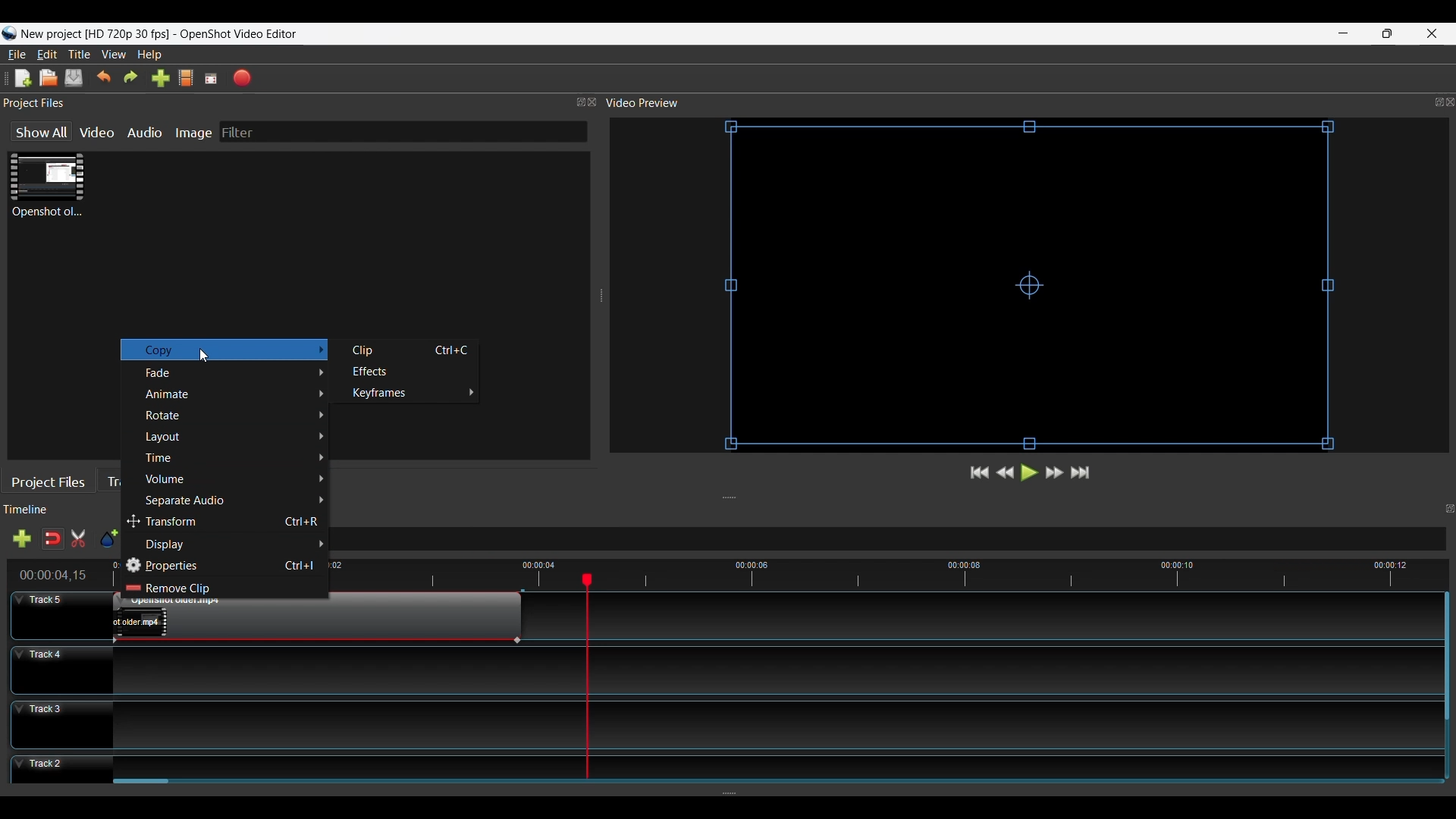 Image resolution: width=1456 pixels, height=819 pixels. Describe the element at coordinates (52, 538) in the screenshot. I see `Snap` at that location.